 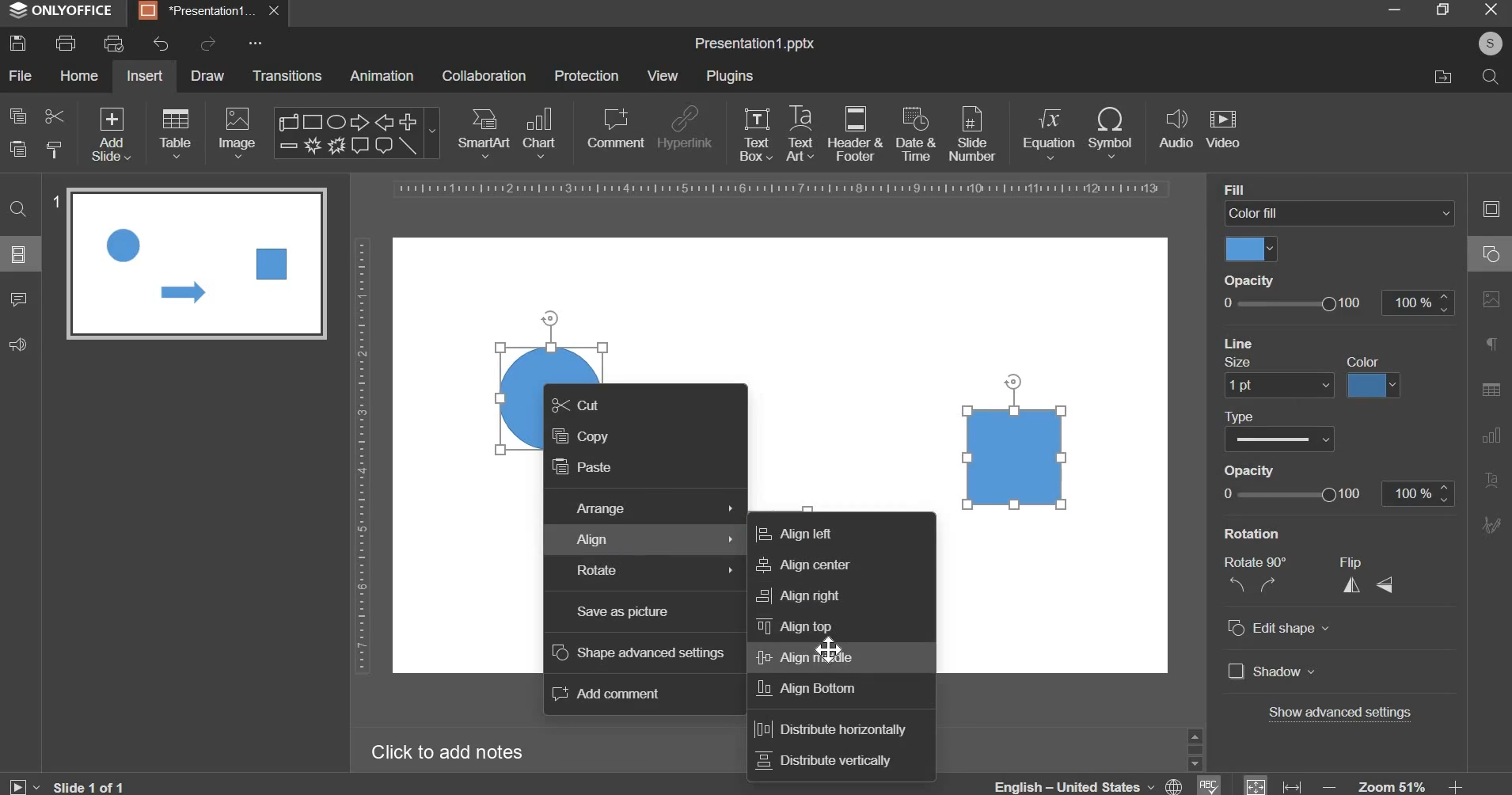 What do you see at coordinates (239, 132) in the screenshot?
I see `image` at bounding box center [239, 132].